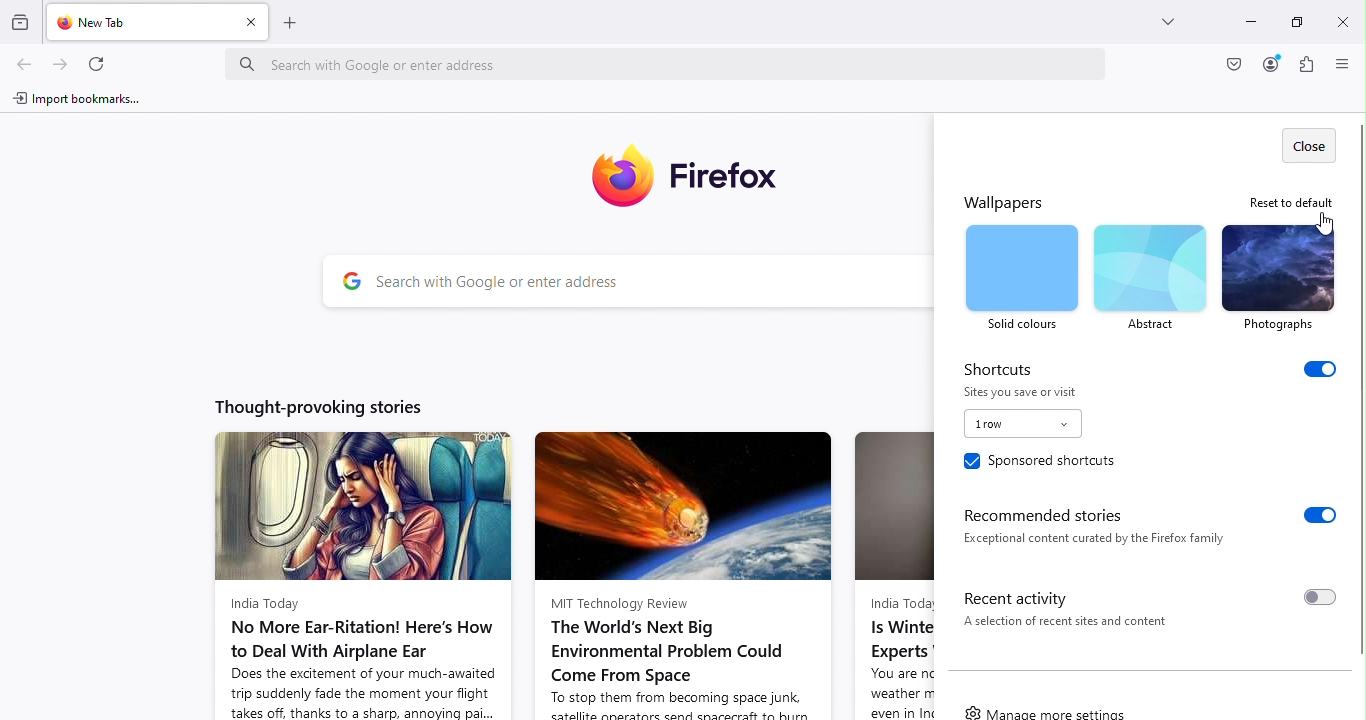 The image size is (1366, 720). Describe the element at coordinates (1038, 464) in the screenshot. I see `Sponsored shortcuts` at that location.